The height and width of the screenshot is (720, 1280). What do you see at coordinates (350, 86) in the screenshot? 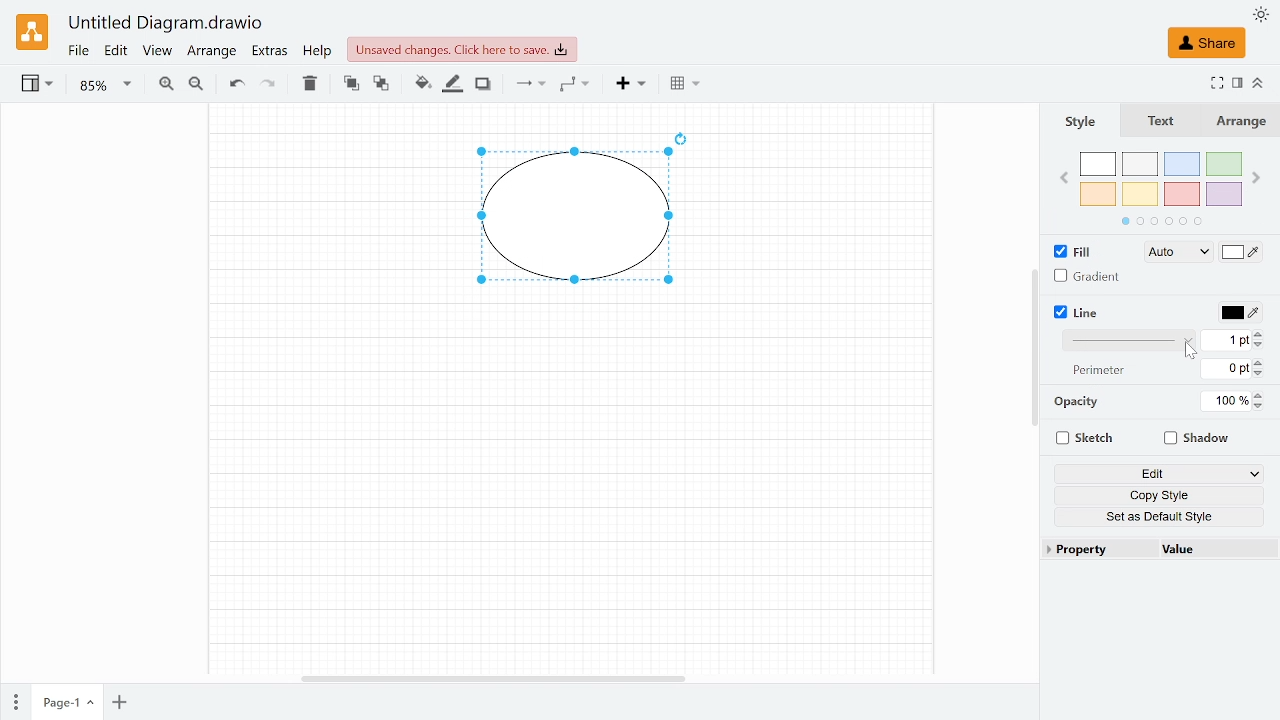
I see `To front` at bounding box center [350, 86].